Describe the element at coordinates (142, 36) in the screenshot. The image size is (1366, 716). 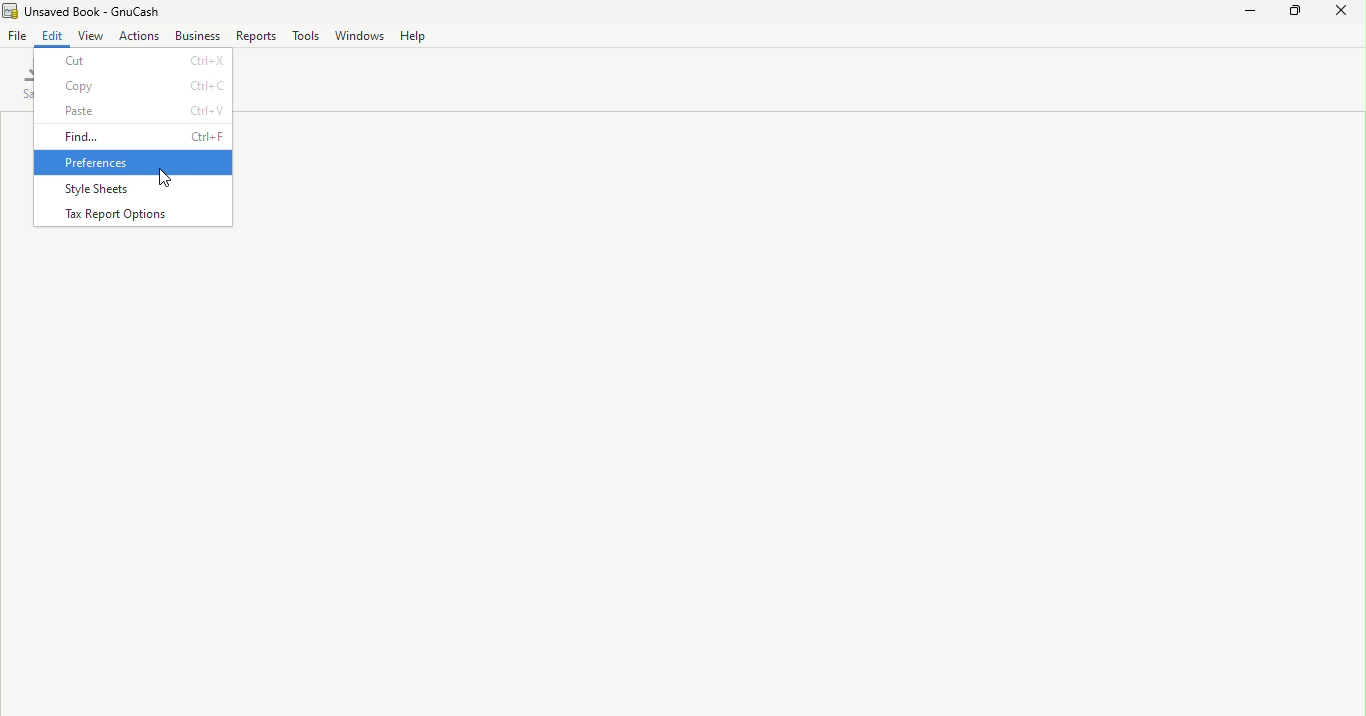
I see `Actions` at that location.